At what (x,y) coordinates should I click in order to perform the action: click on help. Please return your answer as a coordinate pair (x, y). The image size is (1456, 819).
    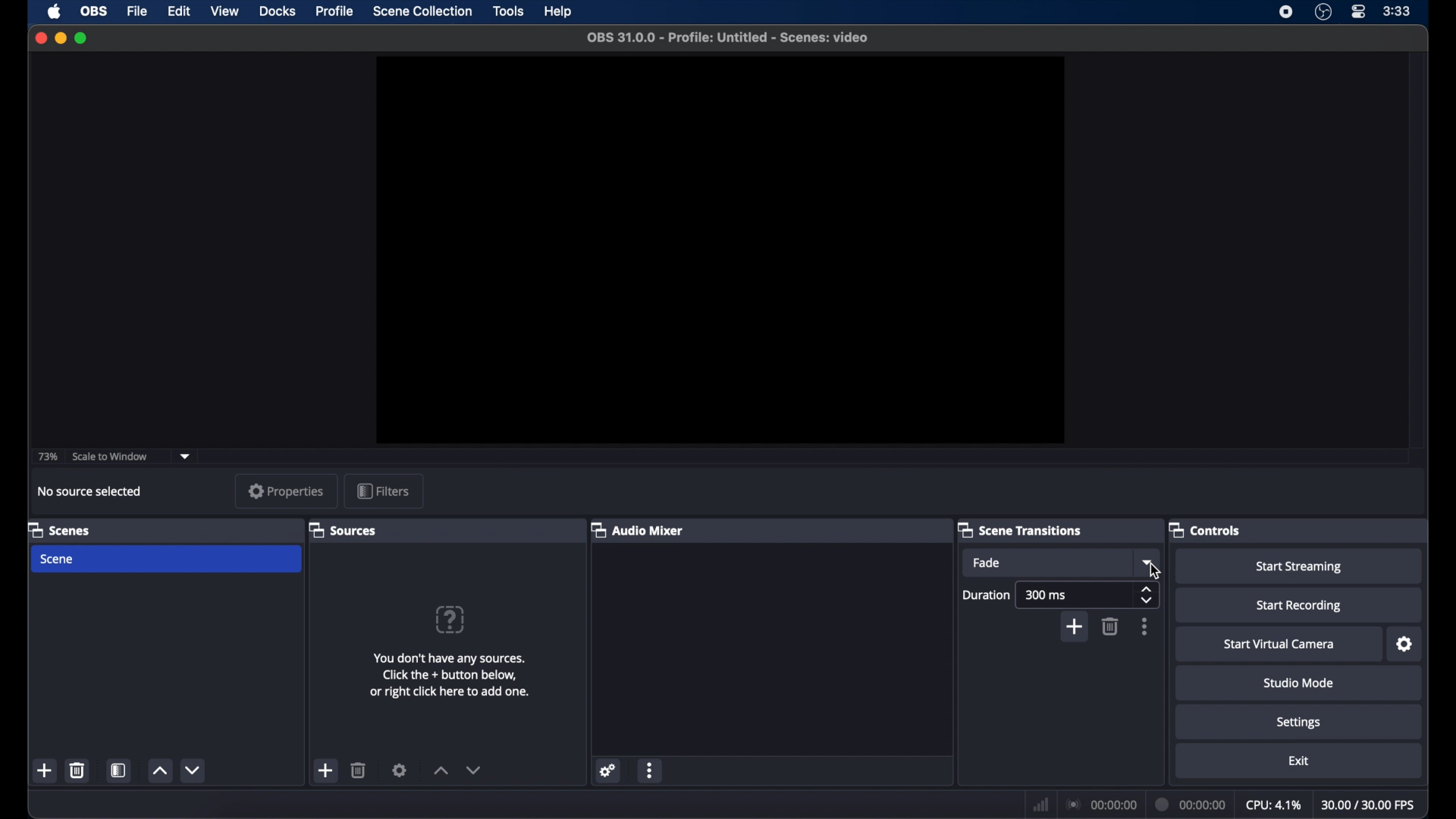
    Looking at the image, I should click on (560, 11).